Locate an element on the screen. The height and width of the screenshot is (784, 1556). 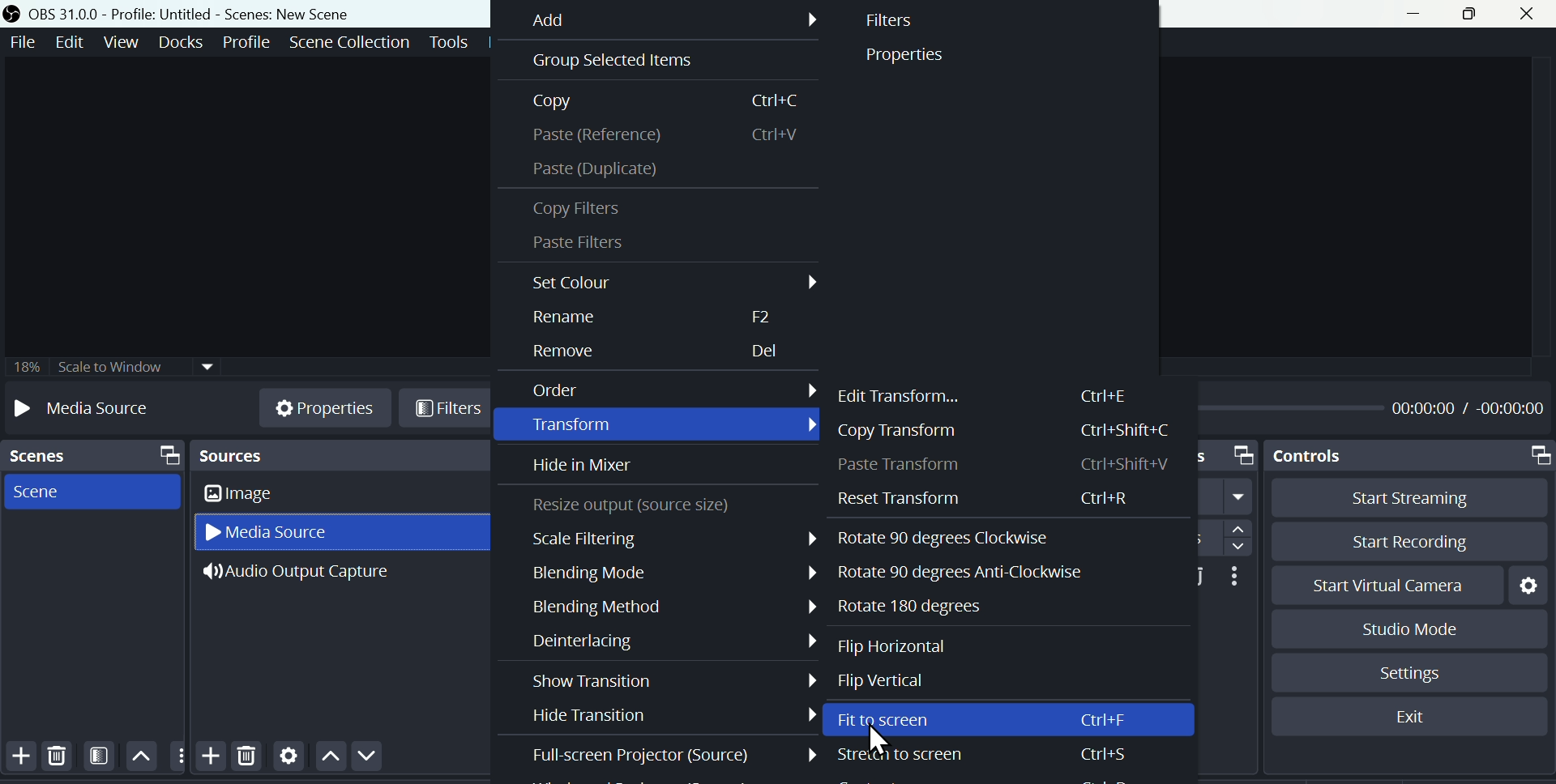
Blending mode is located at coordinates (671, 572).